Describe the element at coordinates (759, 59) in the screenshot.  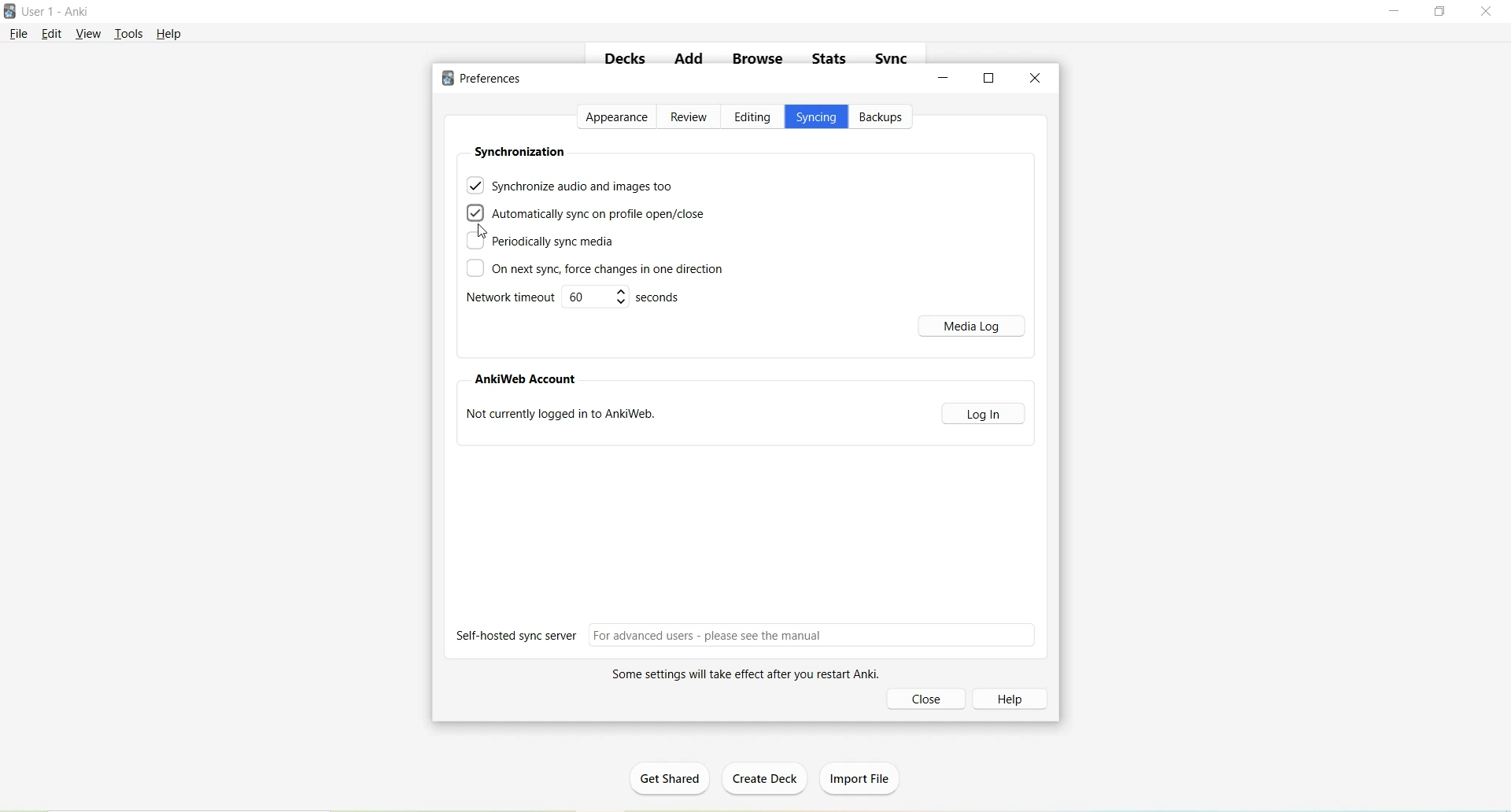
I see `Browse` at that location.